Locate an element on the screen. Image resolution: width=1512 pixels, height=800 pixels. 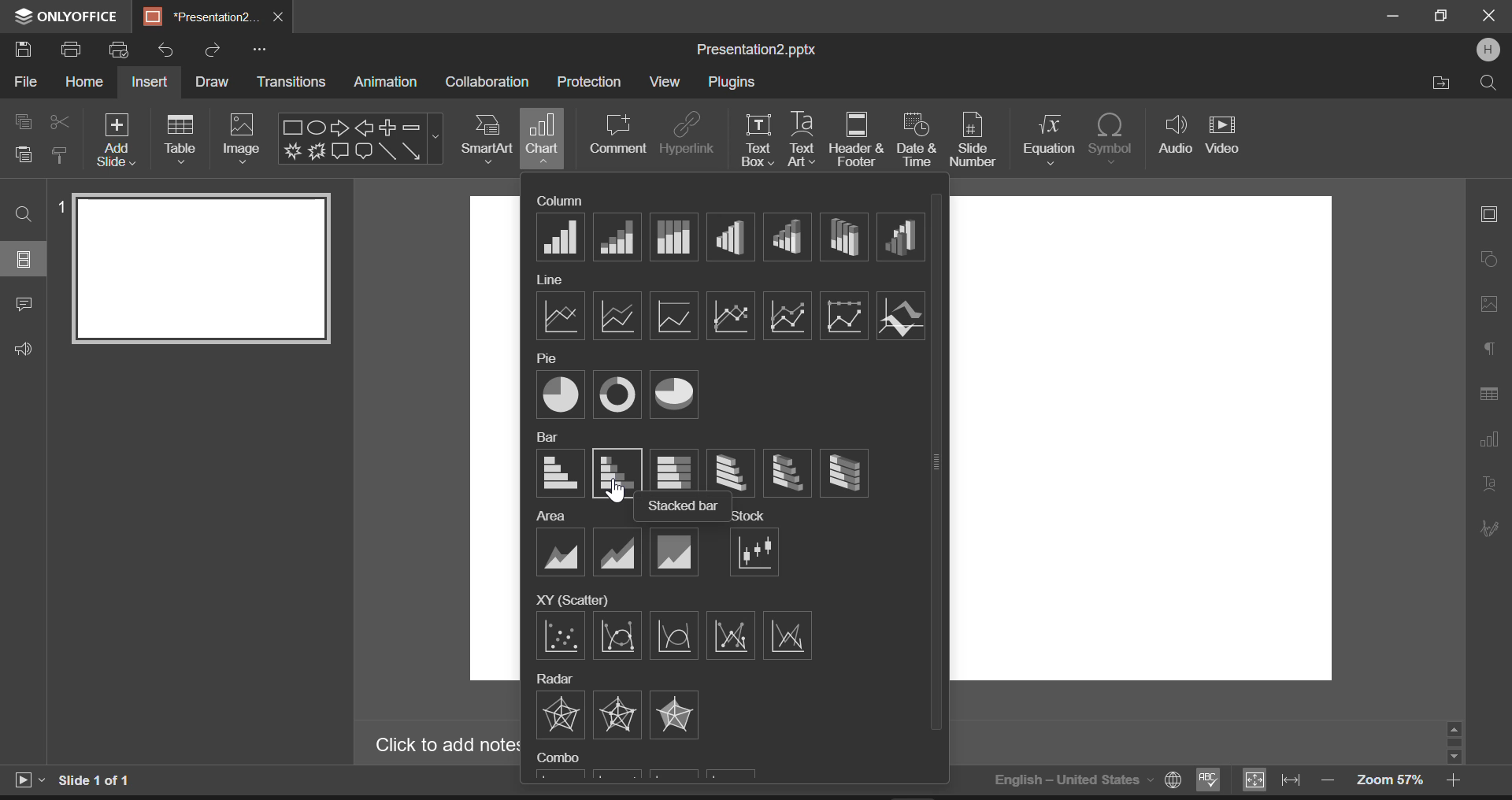
File is located at coordinates (24, 85).